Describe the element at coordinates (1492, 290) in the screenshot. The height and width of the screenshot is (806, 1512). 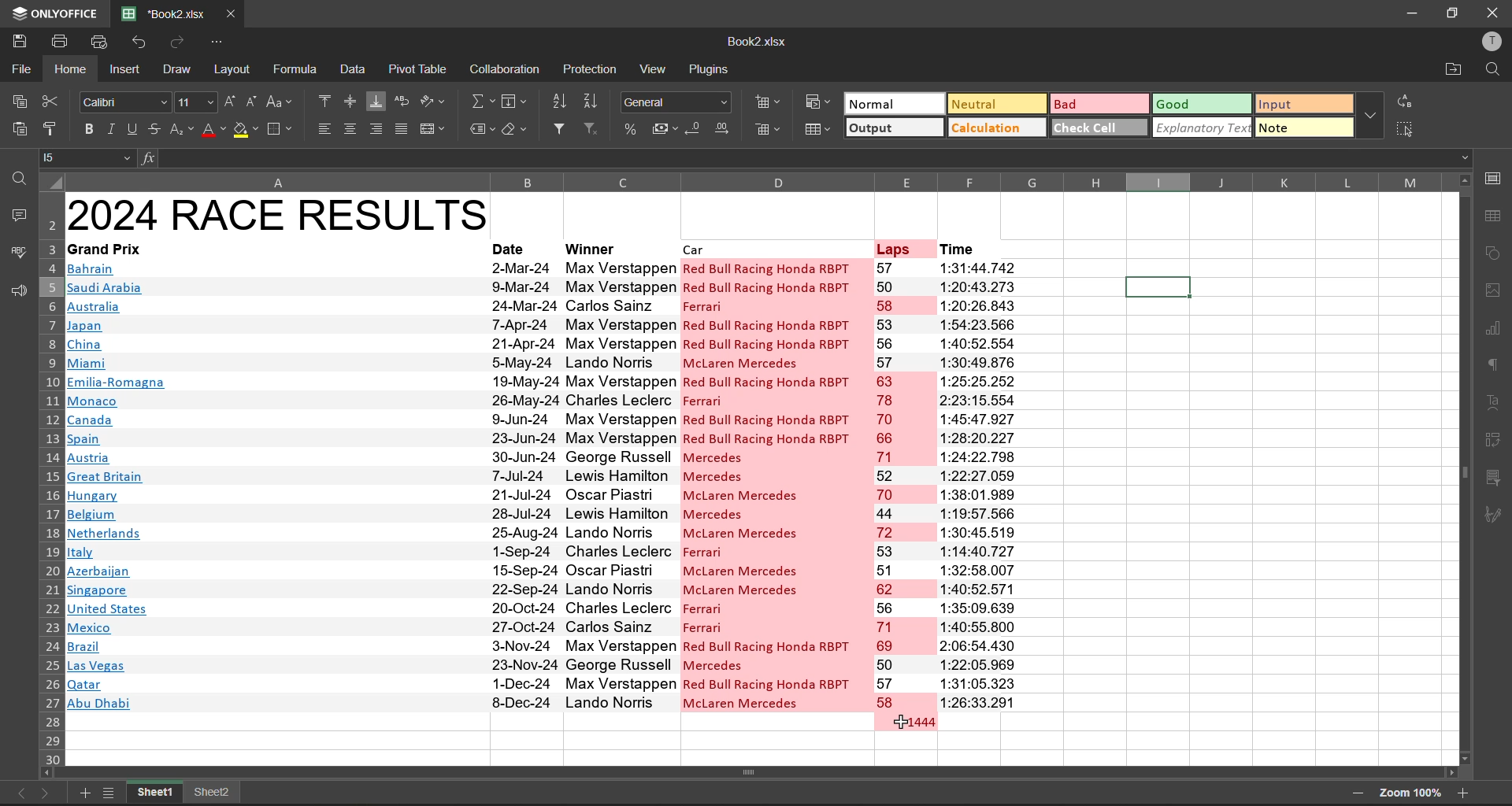
I see `images` at that location.